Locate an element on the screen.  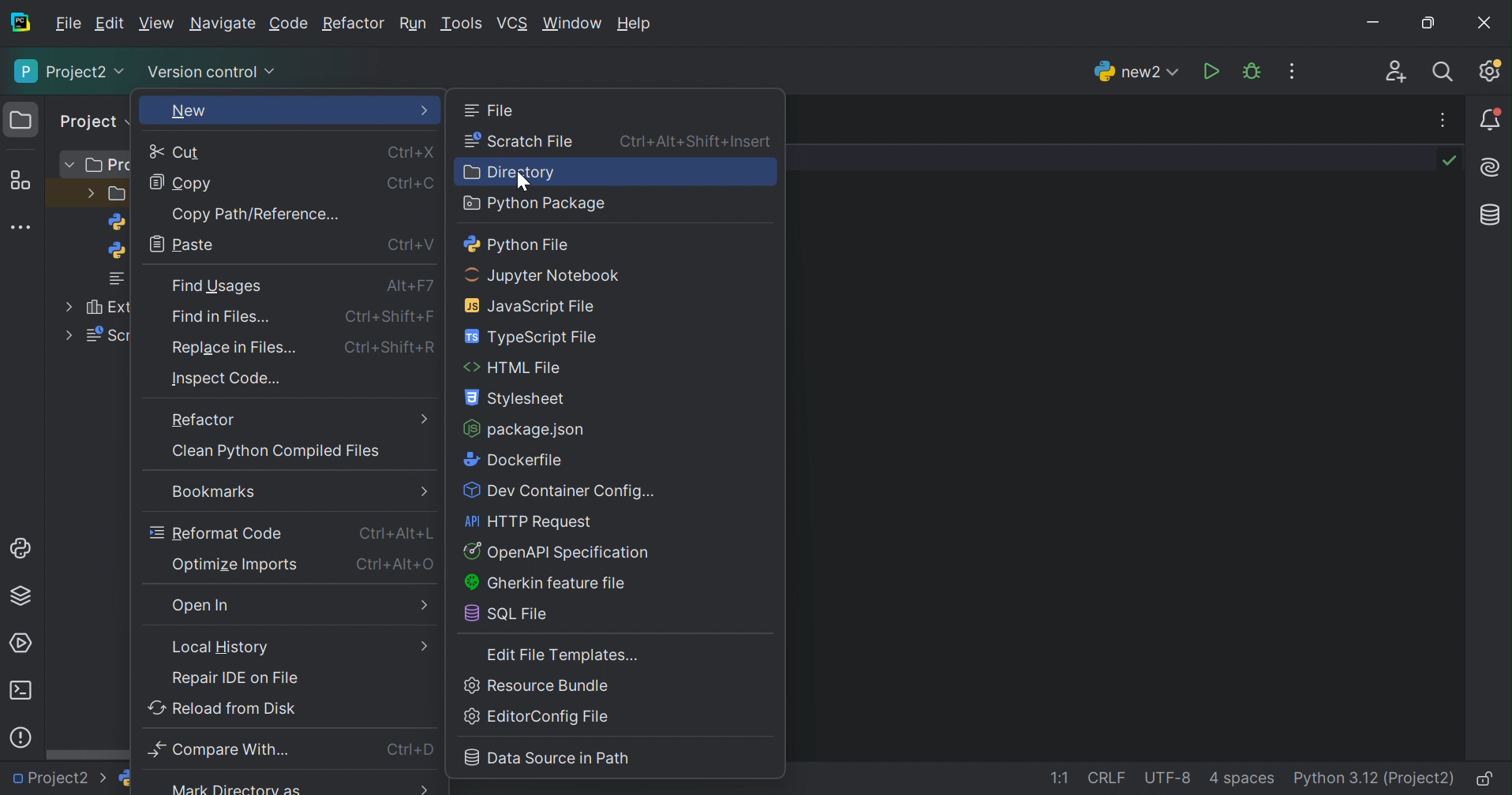
Alt+F7 is located at coordinates (410, 286).